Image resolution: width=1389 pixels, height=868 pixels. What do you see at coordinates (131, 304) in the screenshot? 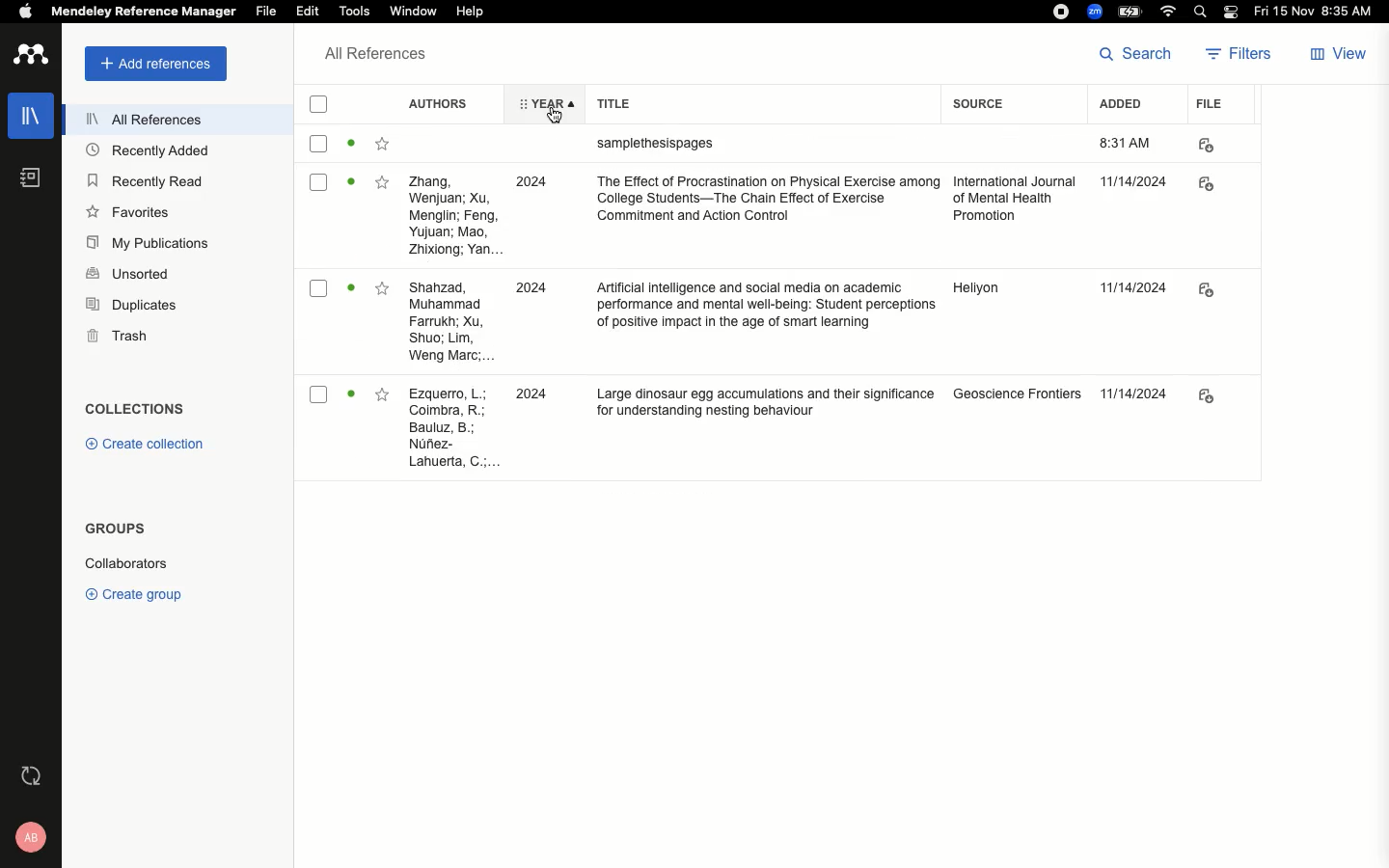
I see `Duplicates` at bounding box center [131, 304].